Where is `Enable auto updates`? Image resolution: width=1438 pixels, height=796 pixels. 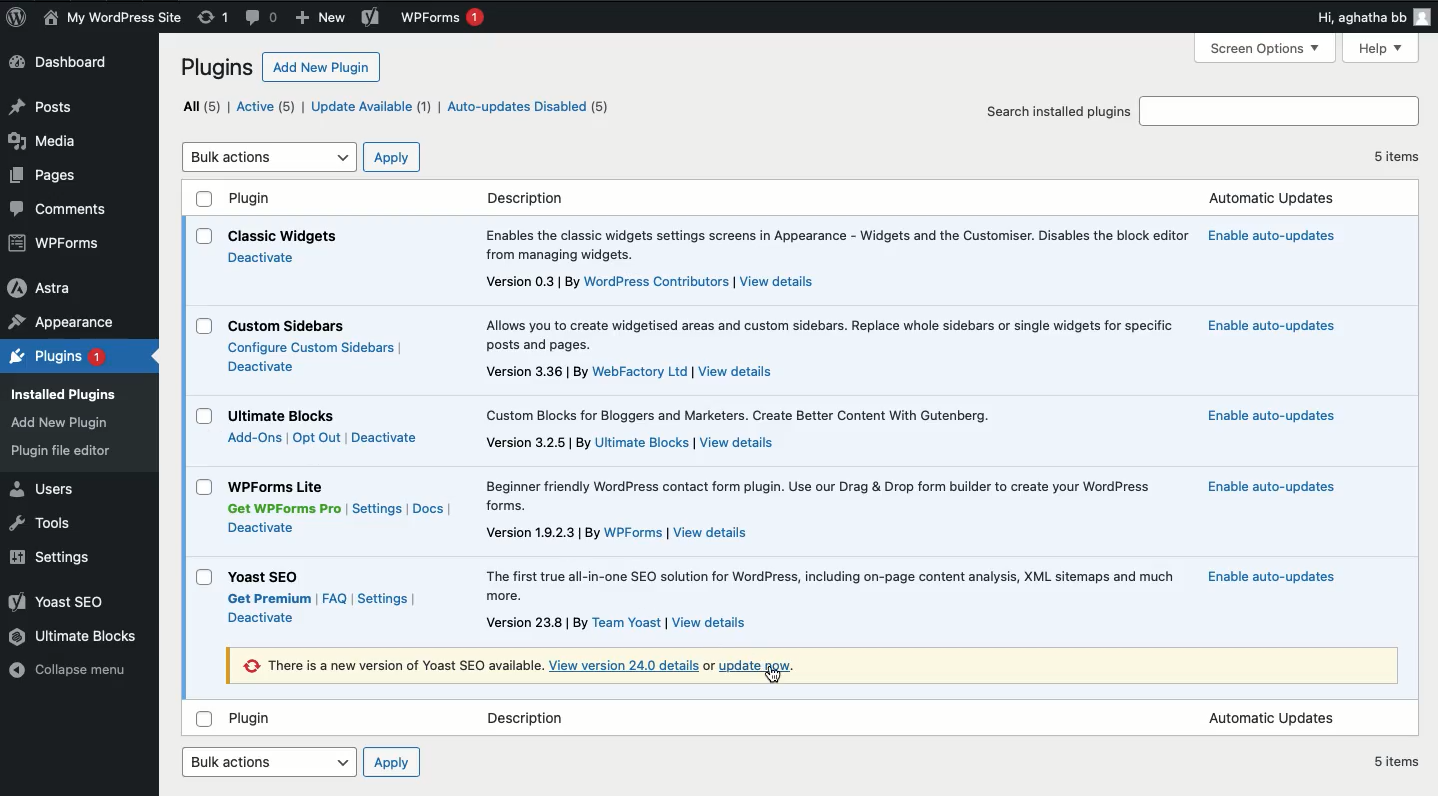
Enable auto updates is located at coordinates (1270, 414).